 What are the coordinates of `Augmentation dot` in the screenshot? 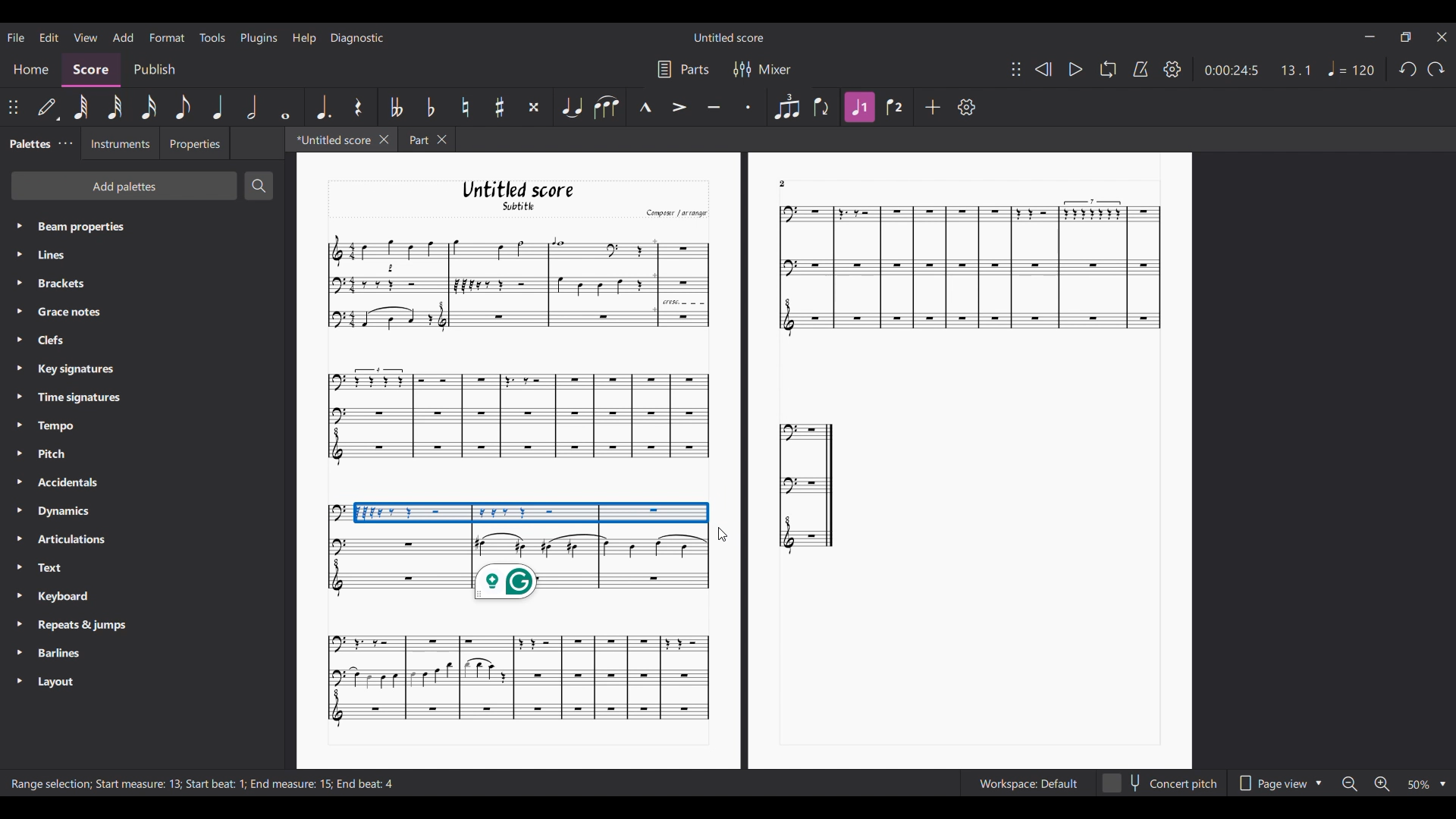 It's located at (323, 106).